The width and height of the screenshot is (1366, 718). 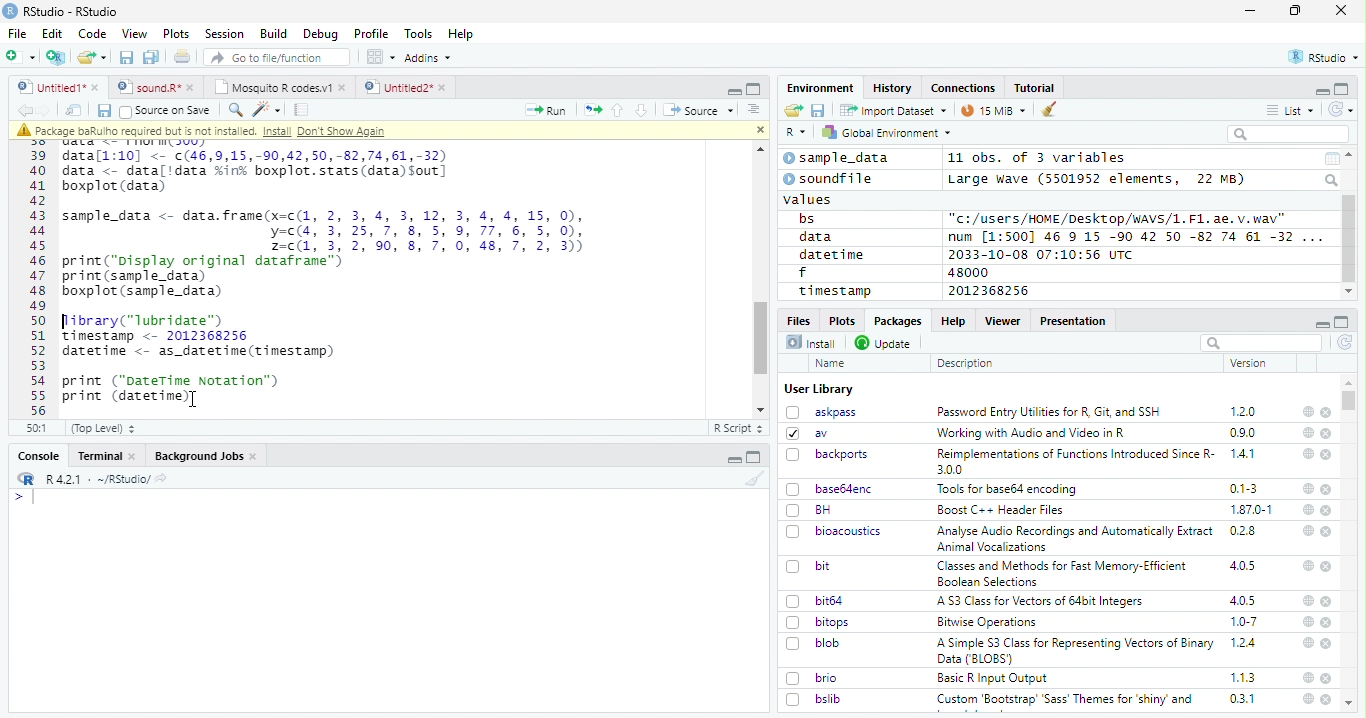 What do you see at coordinates (1243, 677) in the screenshot?
I see `1.1.3` at bounding box center [1243, 677].